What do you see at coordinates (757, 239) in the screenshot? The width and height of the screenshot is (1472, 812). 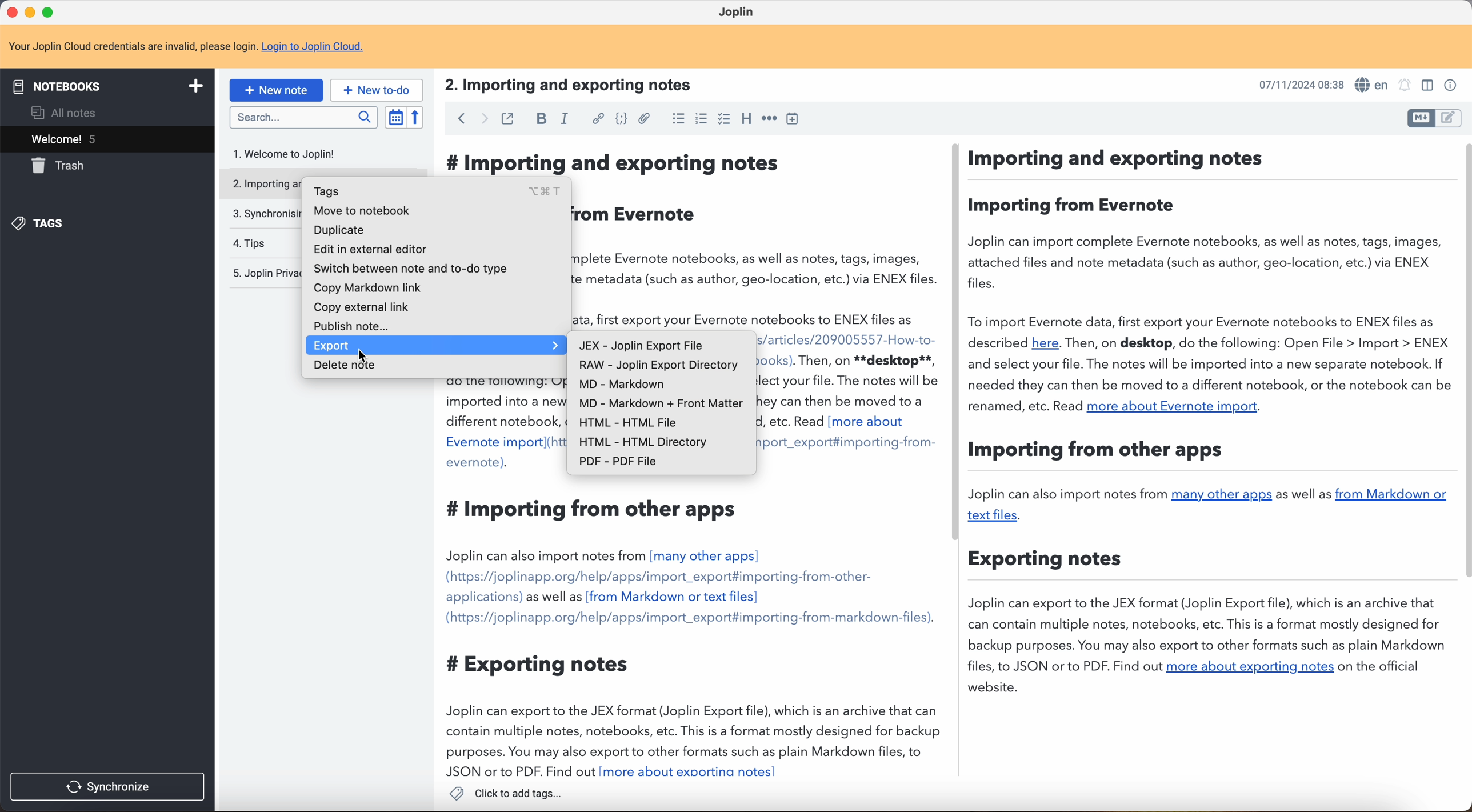 I see `Importing and exporting notes: Joplin can important complete Evernote notebooks, as well as notes, tags, images, attached files and note metadata (such as as author, geo-location, etc) vía ENEX files. To import Evernote data, first export your Evernote notebooks to ENEX files aside described (here)…` at bounding box center [757, 239].